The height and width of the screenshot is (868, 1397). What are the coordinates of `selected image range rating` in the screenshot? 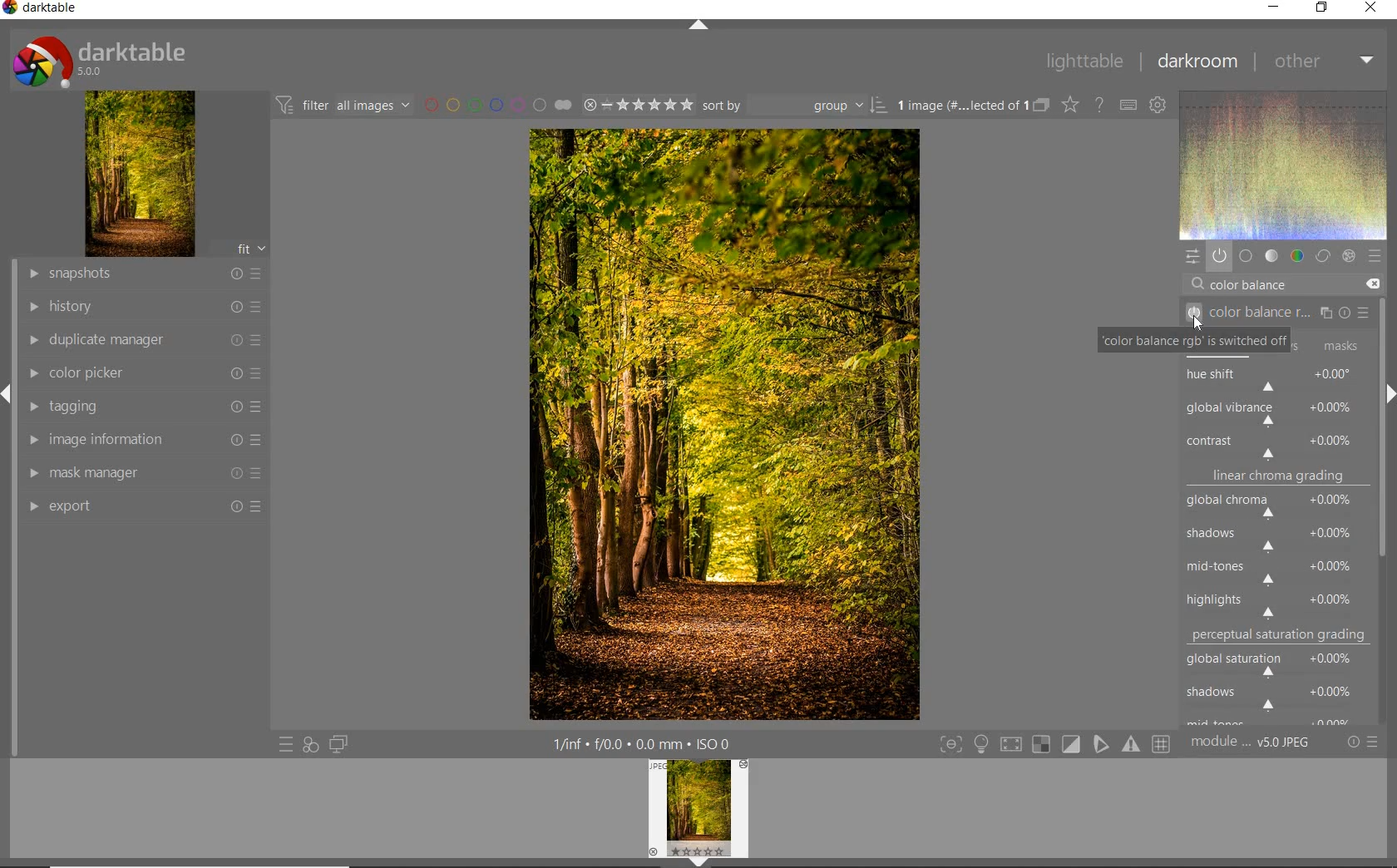 It's located at (638, 106).